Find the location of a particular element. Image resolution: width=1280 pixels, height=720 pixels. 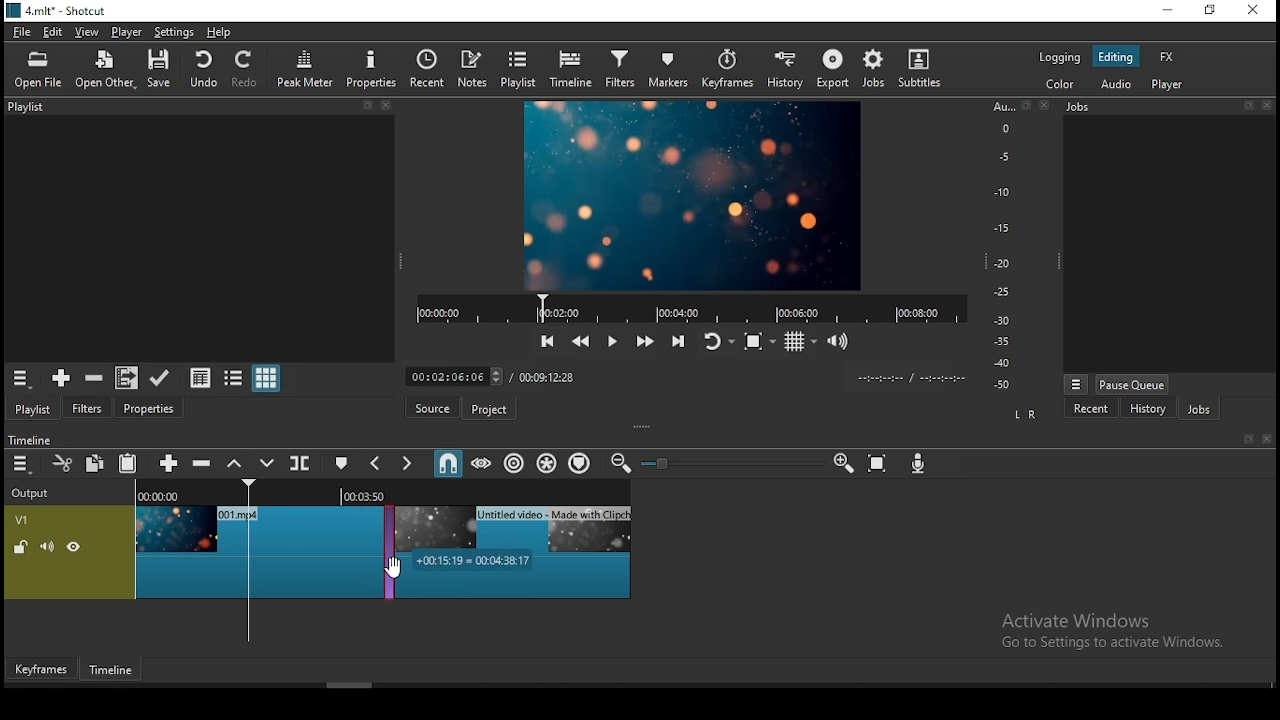

video preview is located at coordinates (691, 195).